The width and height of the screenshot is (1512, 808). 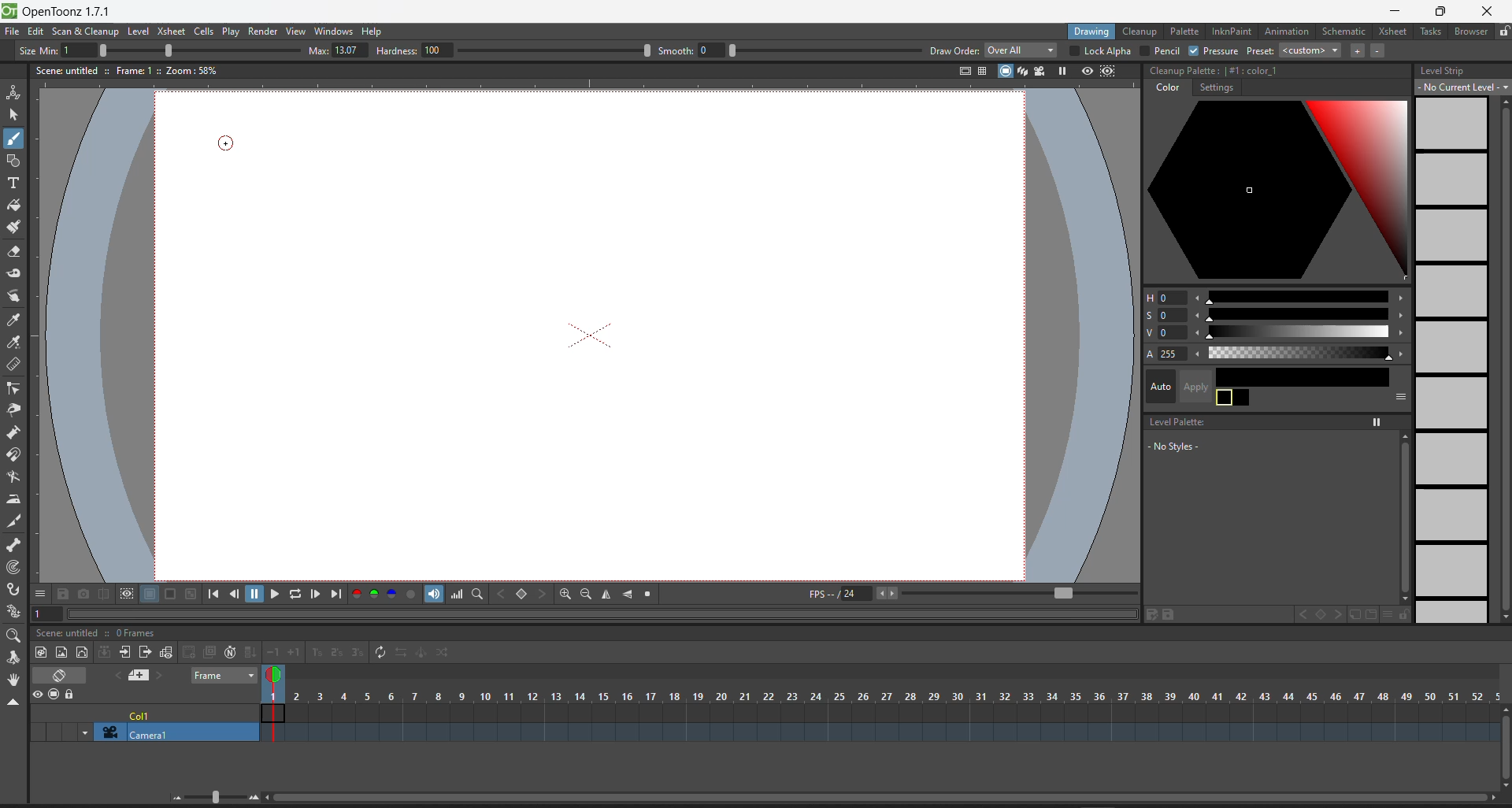 I want to click on windows, so click(x=335, y=31).